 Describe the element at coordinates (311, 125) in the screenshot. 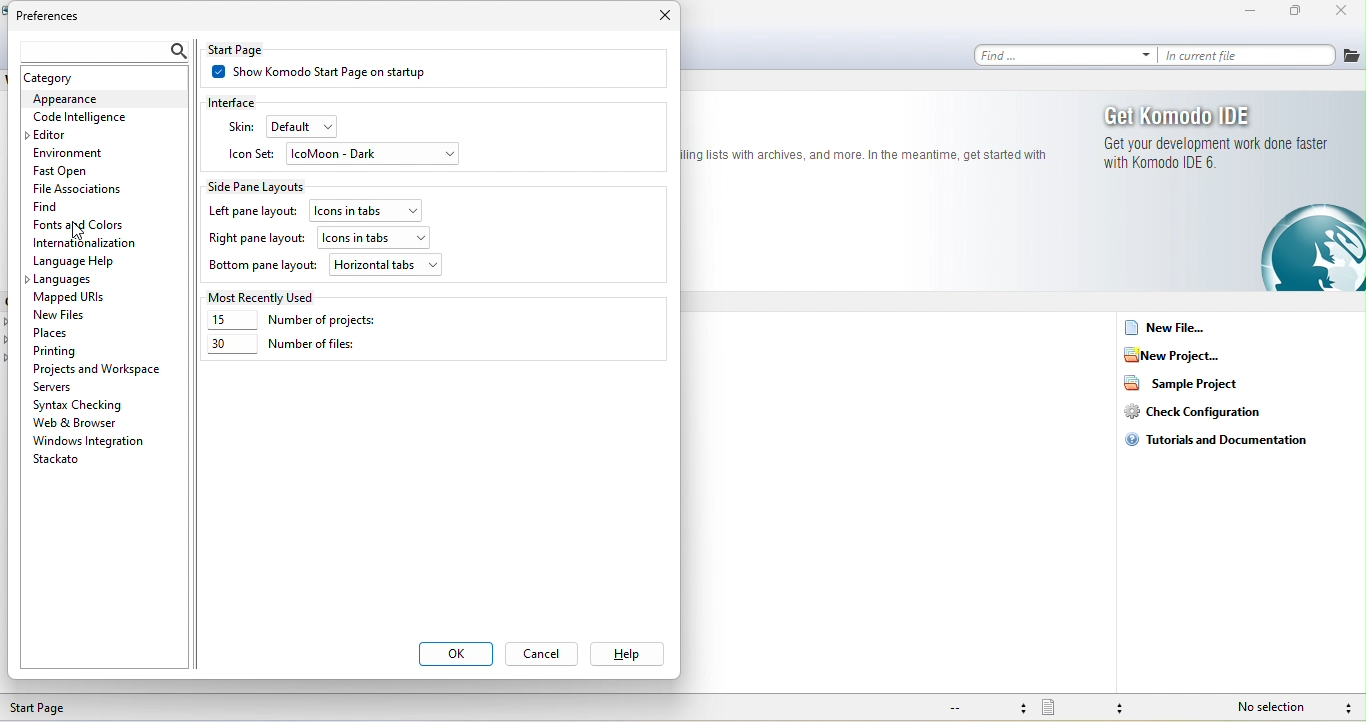

I see `default` at that location.